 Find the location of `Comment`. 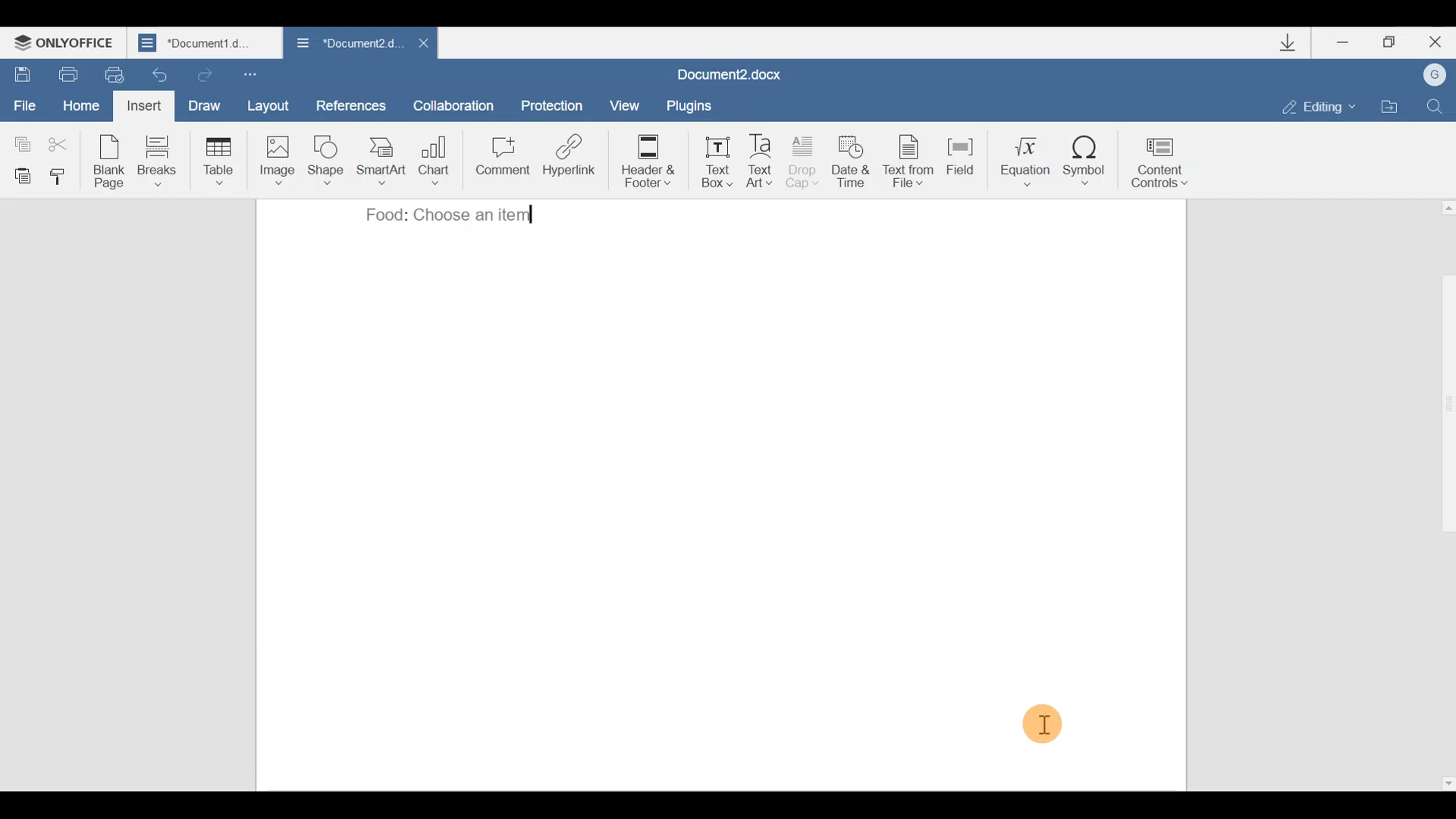

Comment is located at coordinates (500, 159).